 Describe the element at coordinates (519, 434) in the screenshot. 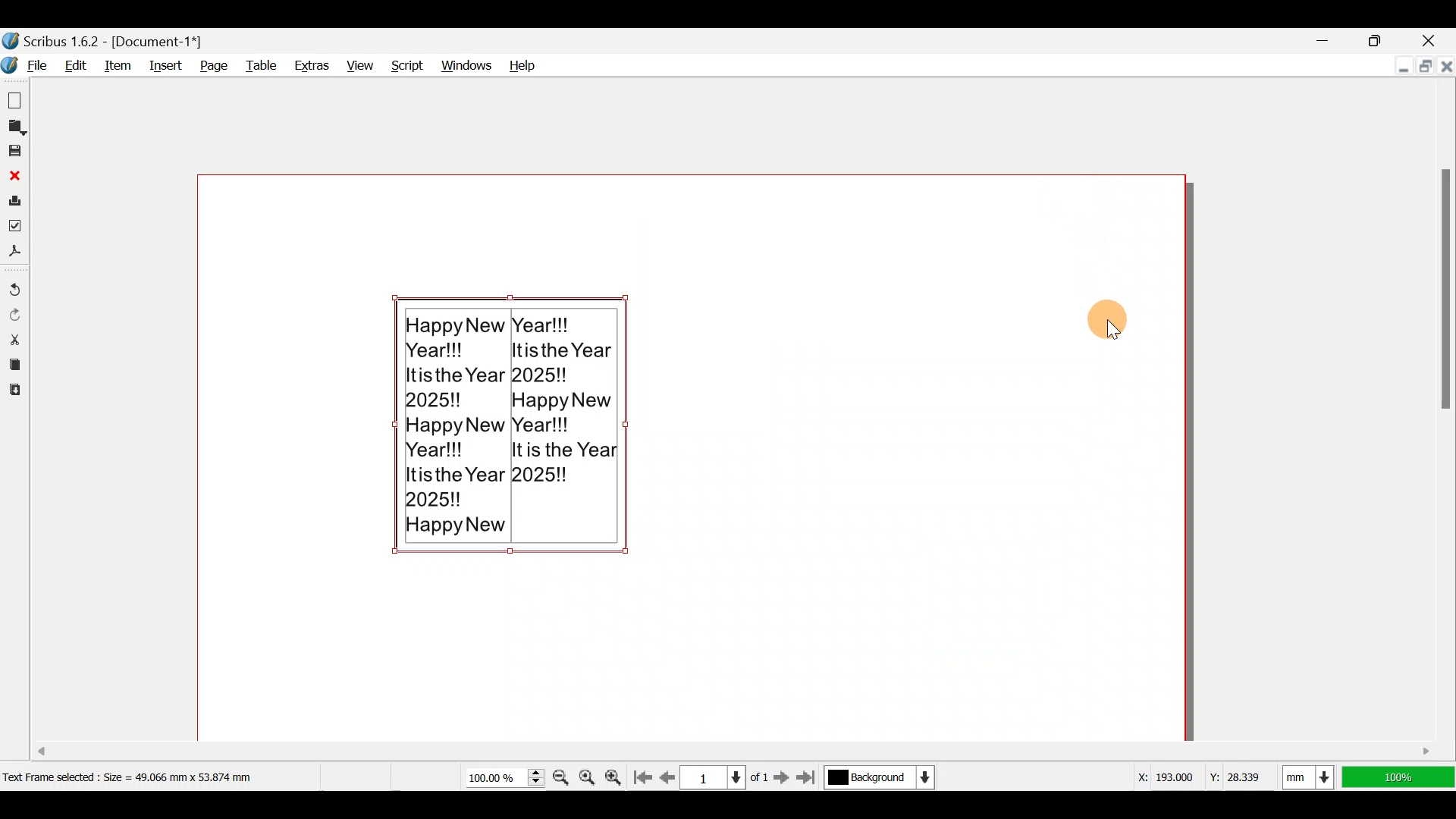

I see `Happy New Year` at that location.